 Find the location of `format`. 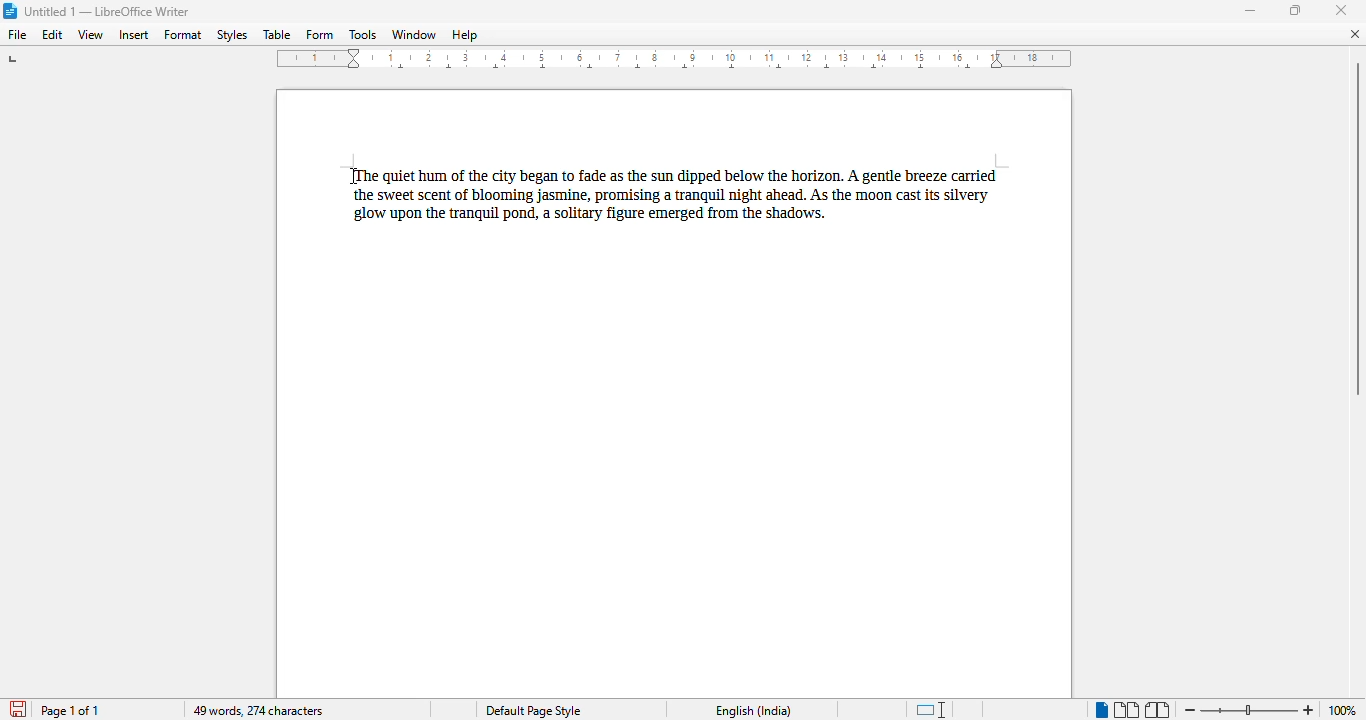

format is located at coordinates (184, 34).